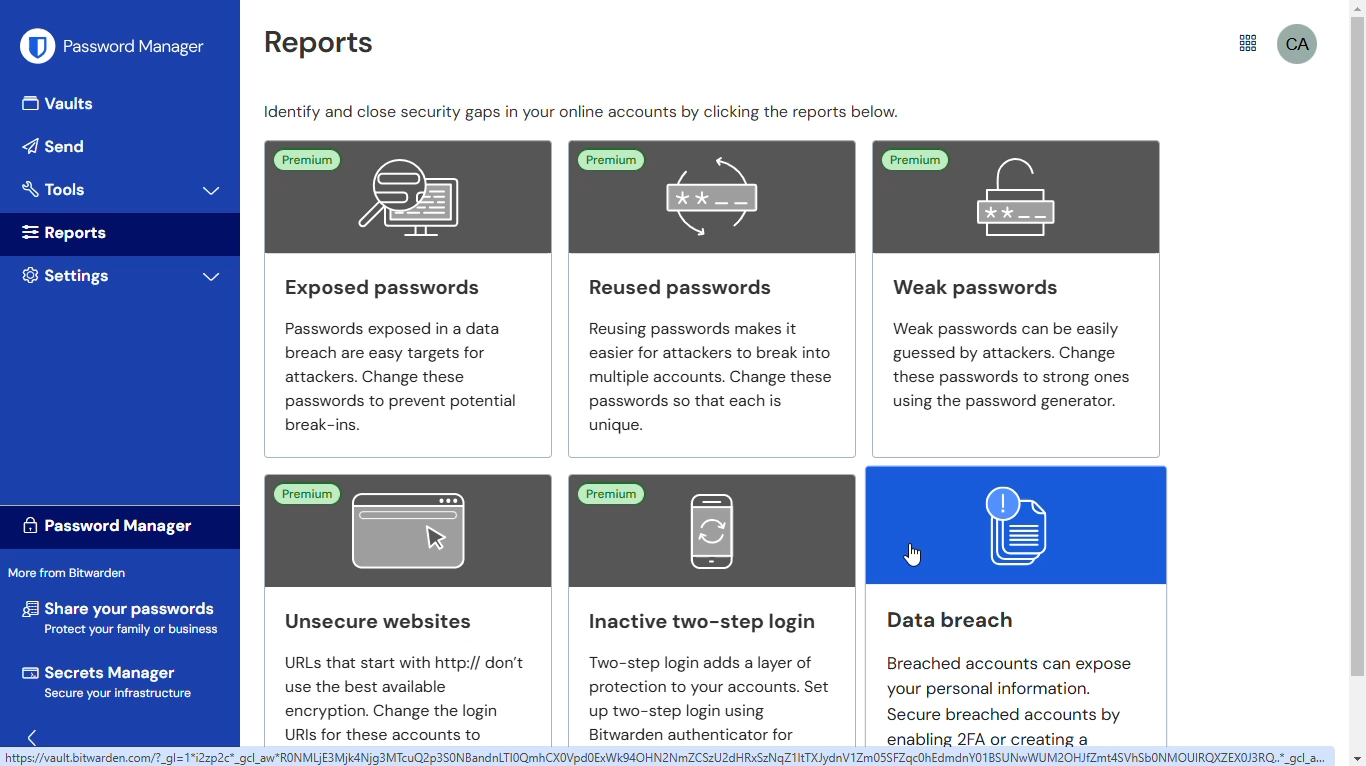 The image size is (1366, 766). I want to click on password manager, so click(105, 525).